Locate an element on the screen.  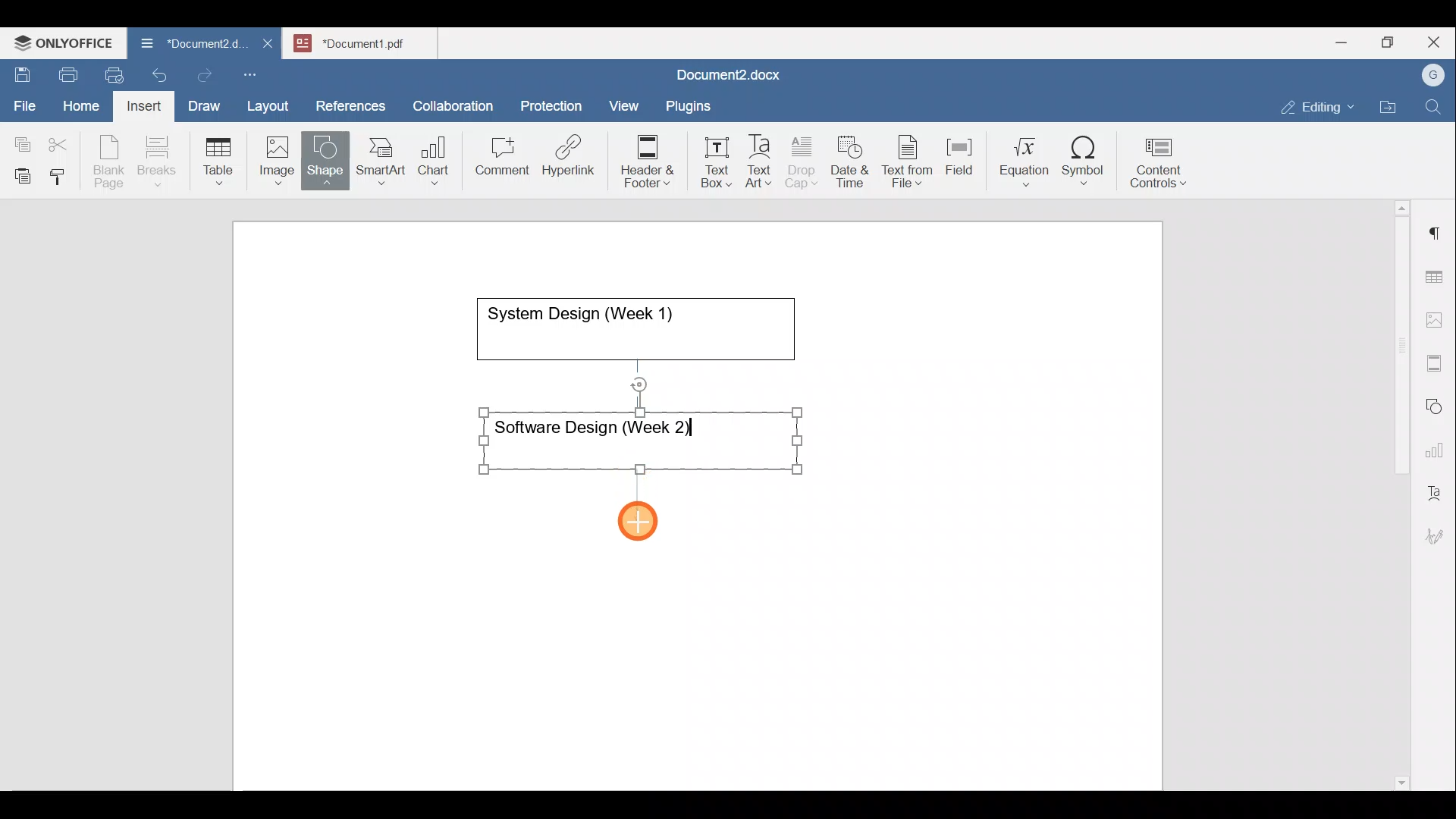
Symbol is located at coordinates (1084, 165).